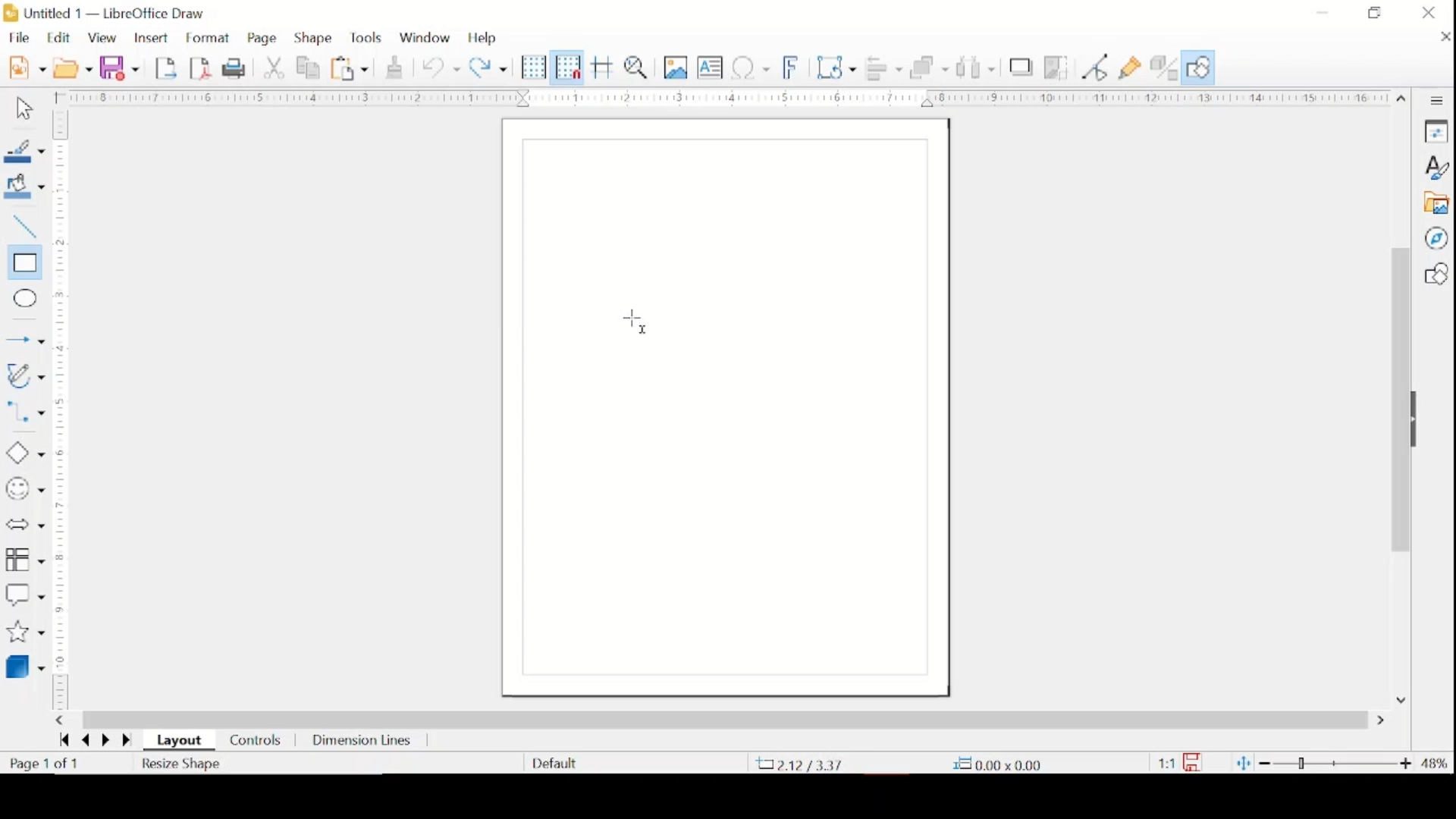 The width and height of the screenshot is (1456, 819). What do you see at coordinates (19, 37) in the screenshot?
I see `file` at bounding box center [19, 37].